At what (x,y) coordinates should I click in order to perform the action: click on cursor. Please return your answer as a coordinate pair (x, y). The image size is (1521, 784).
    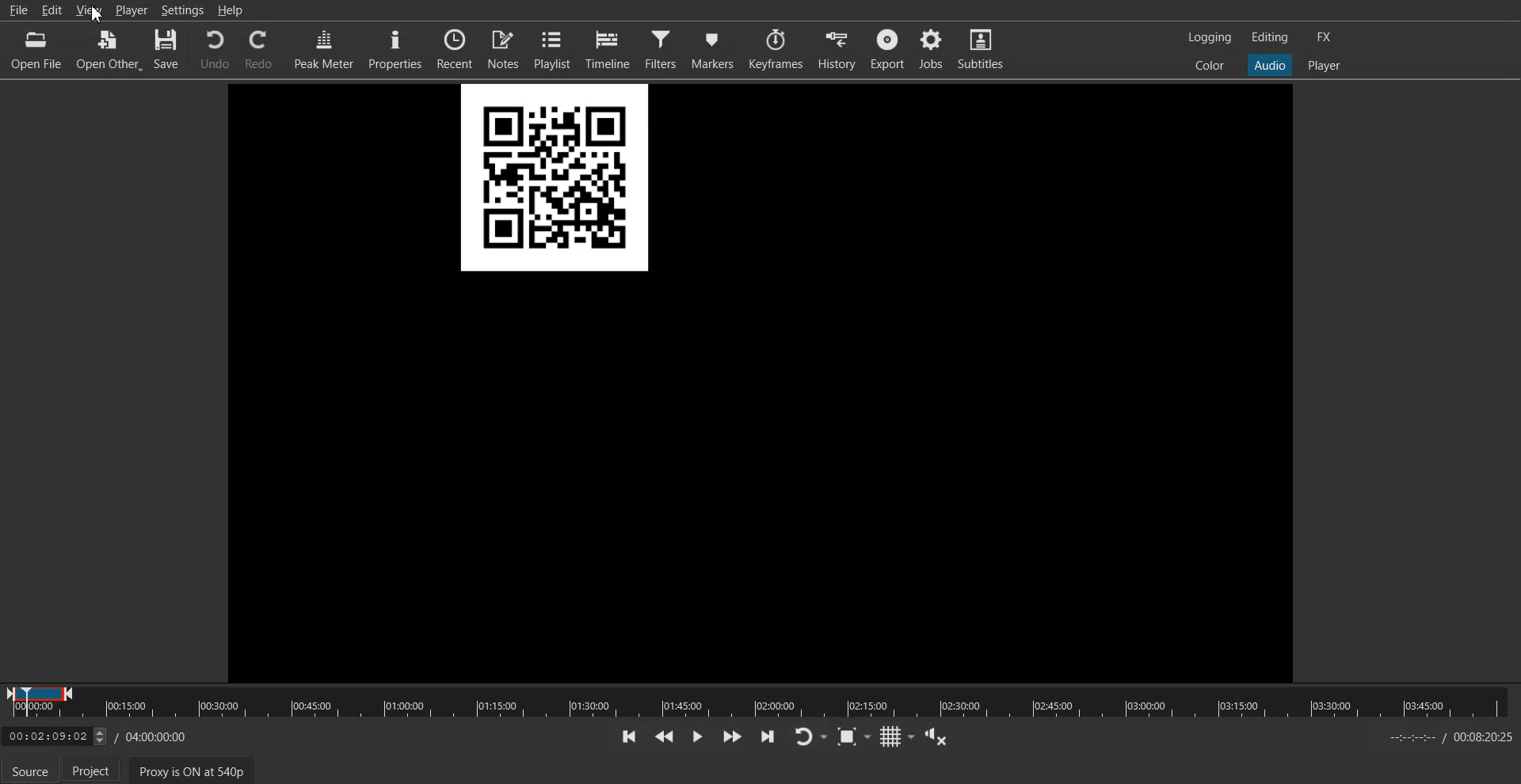
    Looking at the image, I should click on (98, 20).